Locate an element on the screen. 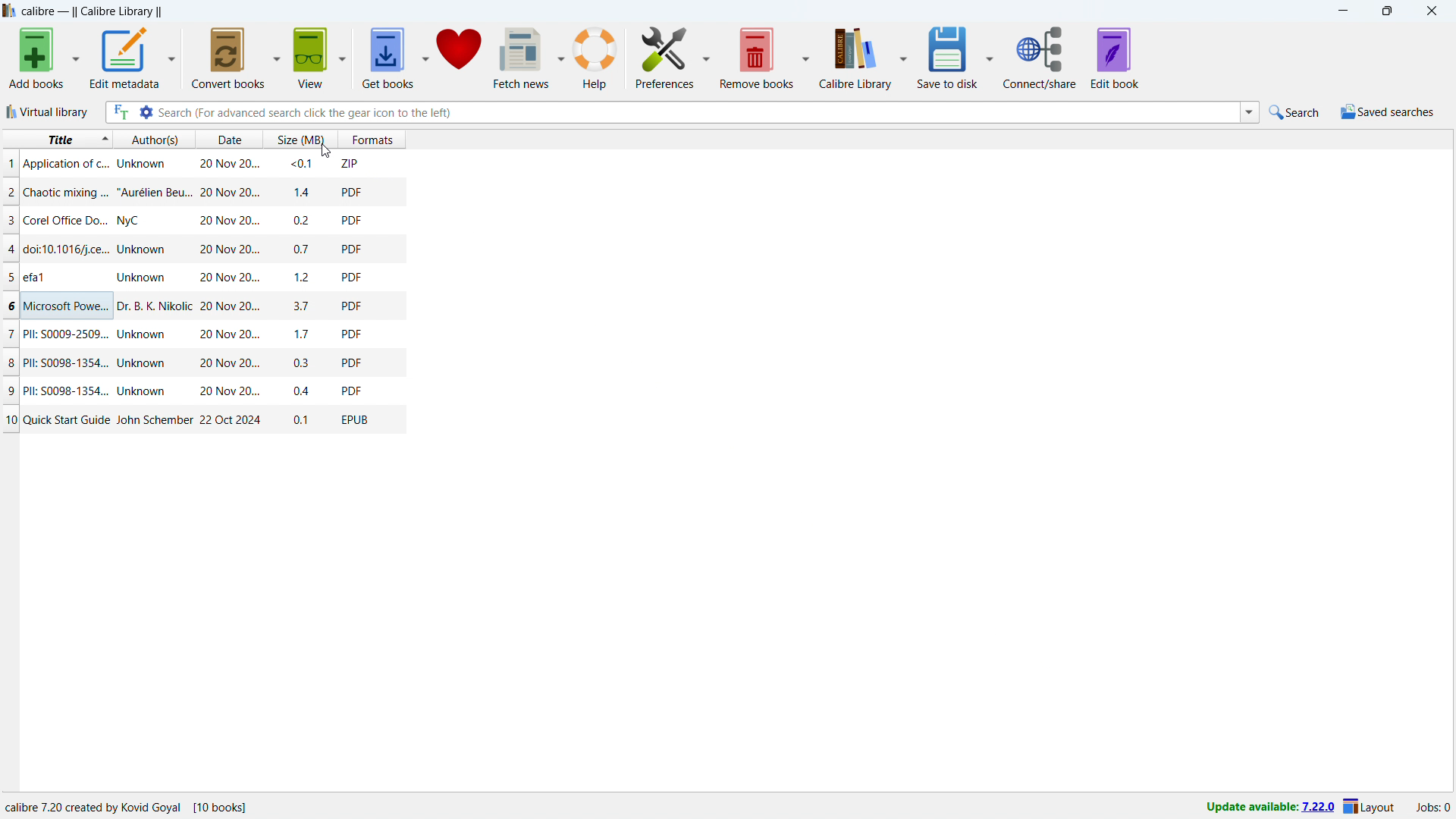 The height and width of the screenshot is (819, 1456). PDF is located at coordinates (353, 360).